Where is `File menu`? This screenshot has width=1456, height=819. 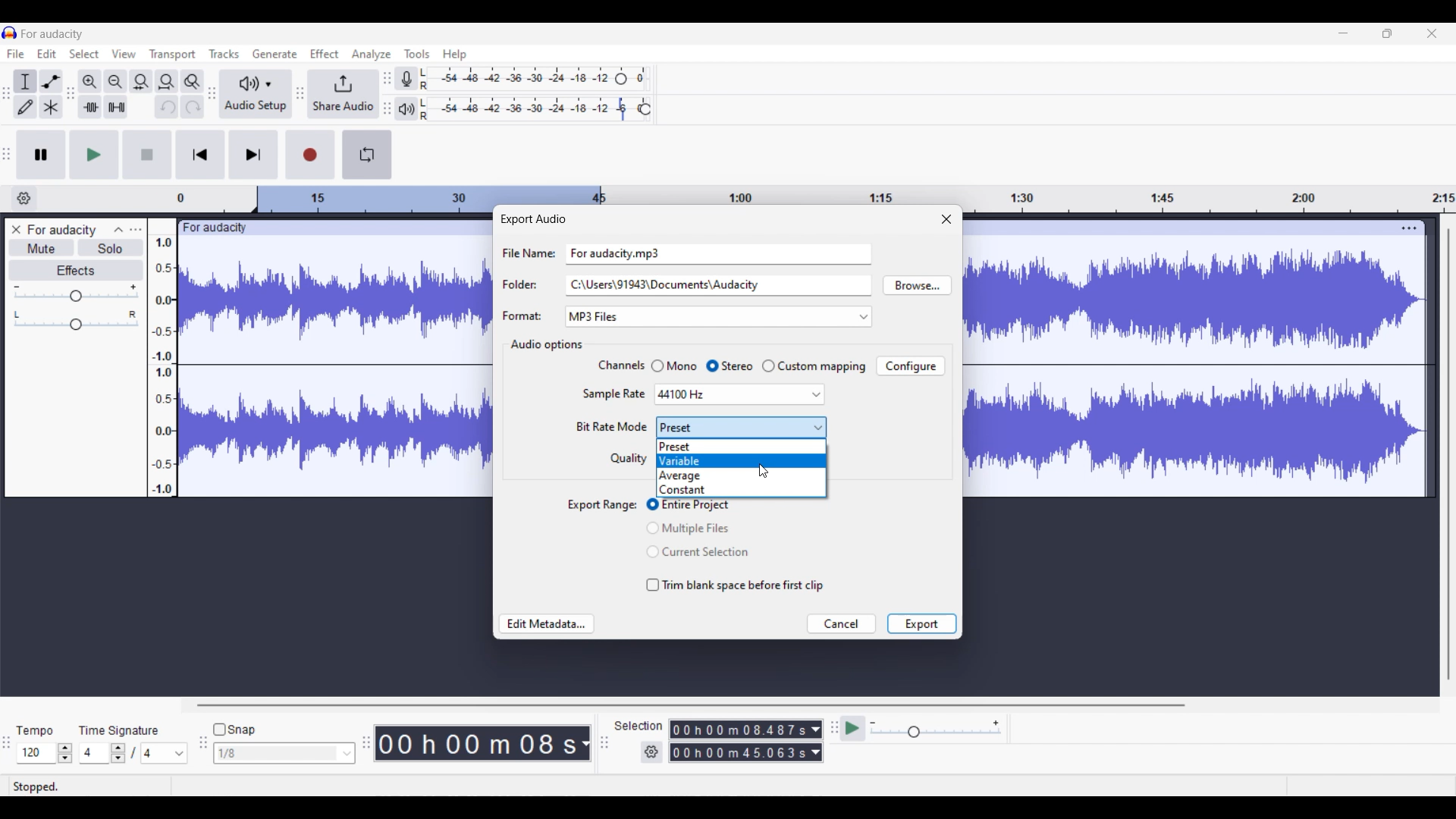 File menu is located at coordinates (16, 53).